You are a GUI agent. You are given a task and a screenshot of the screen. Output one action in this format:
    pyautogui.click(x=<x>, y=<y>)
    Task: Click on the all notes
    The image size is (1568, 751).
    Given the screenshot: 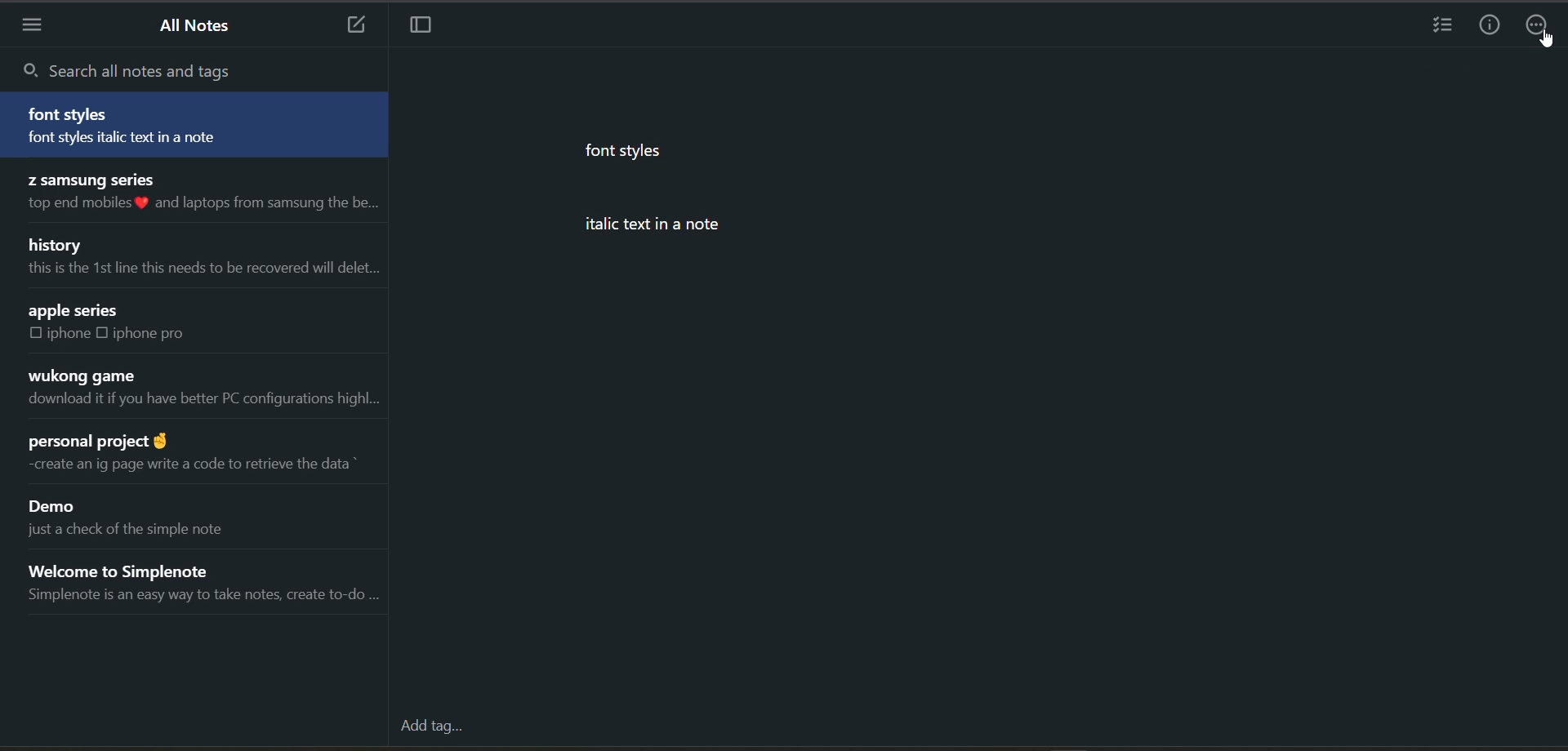 What is the action you would take?
    pyautogui.click(x=199, y=29)
    